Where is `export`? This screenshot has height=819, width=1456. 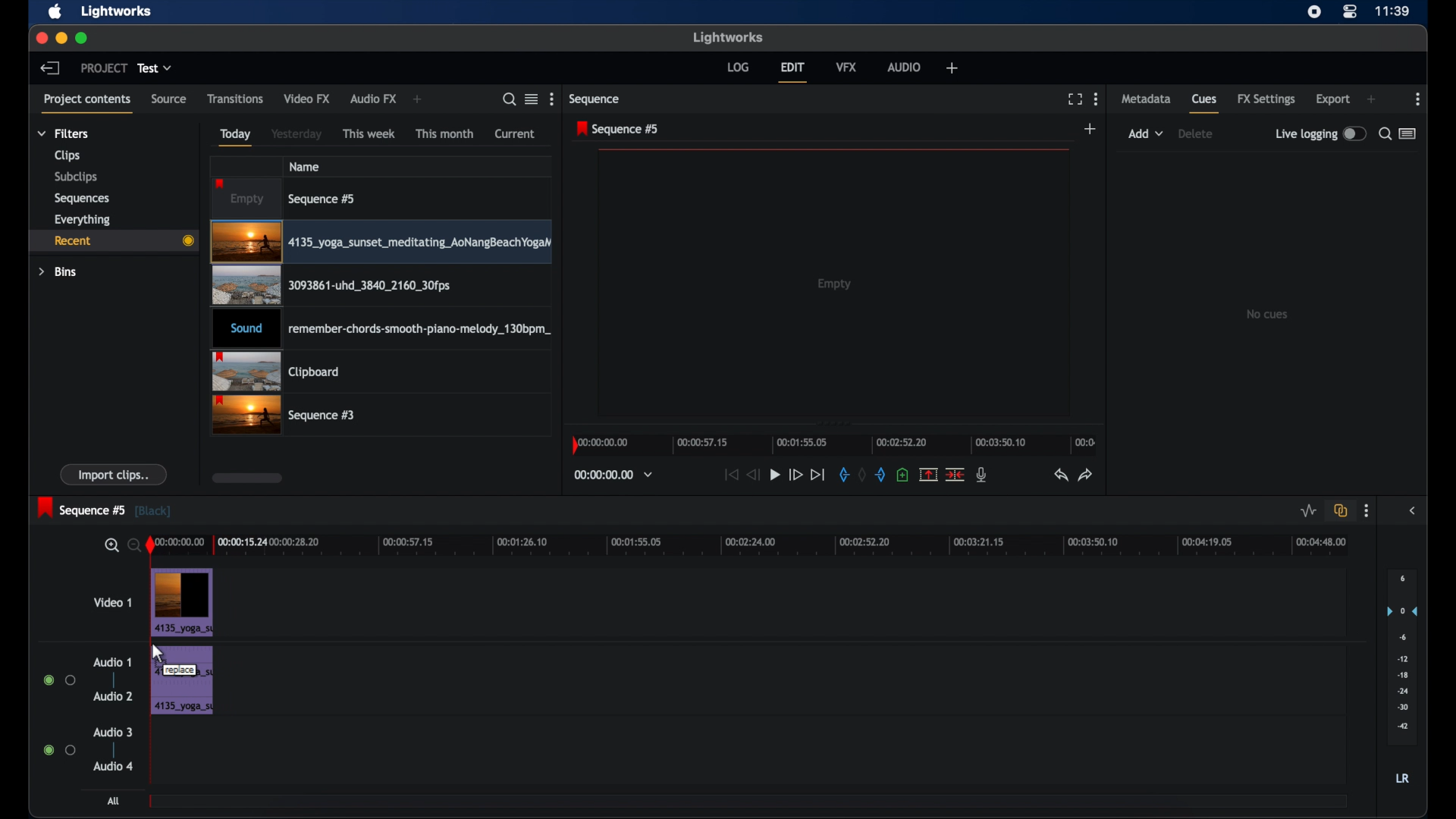 export is located at coordinates (1332, 99).